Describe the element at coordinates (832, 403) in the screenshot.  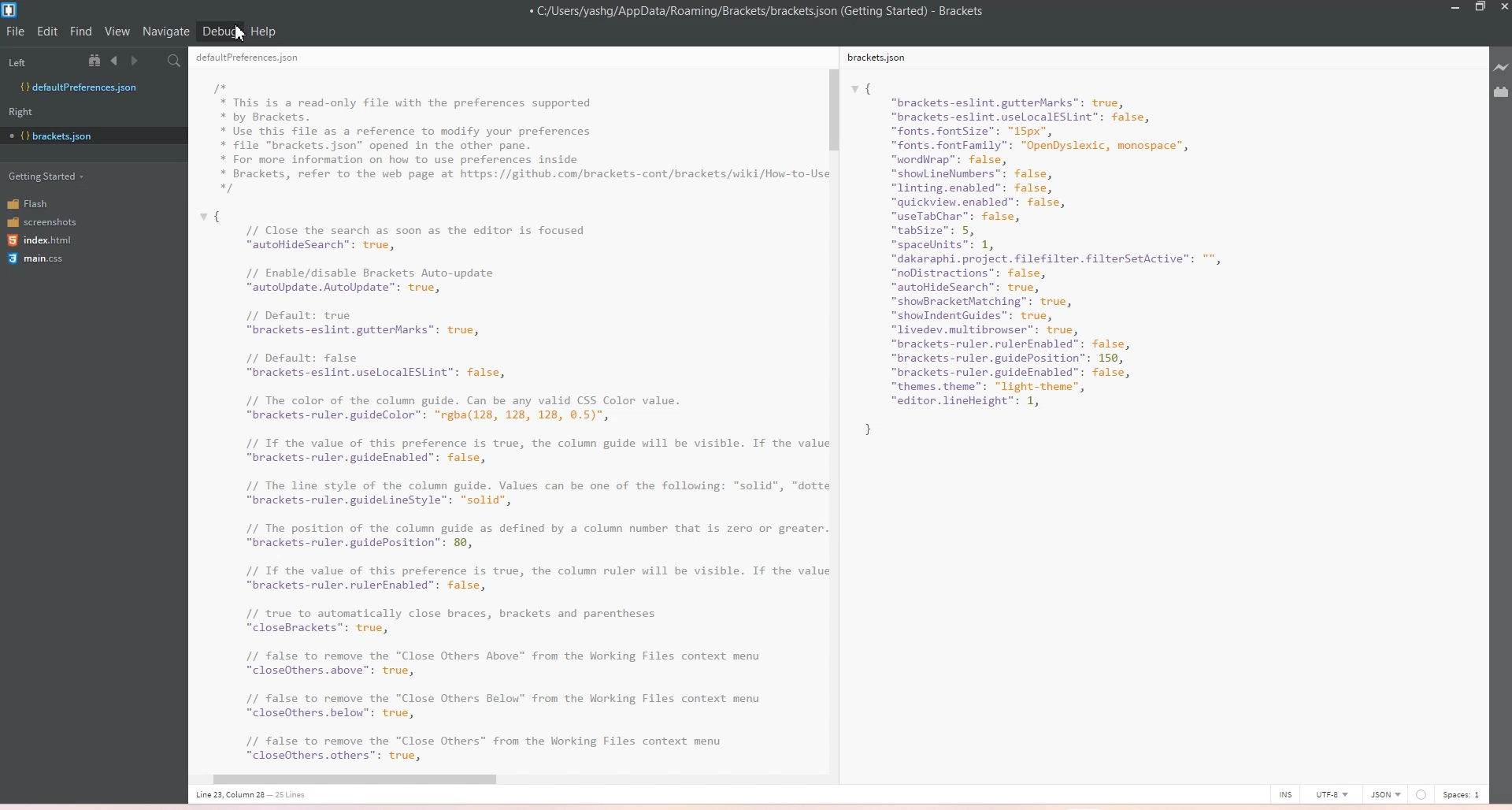
I see `Vertical scroll bar` at that location.